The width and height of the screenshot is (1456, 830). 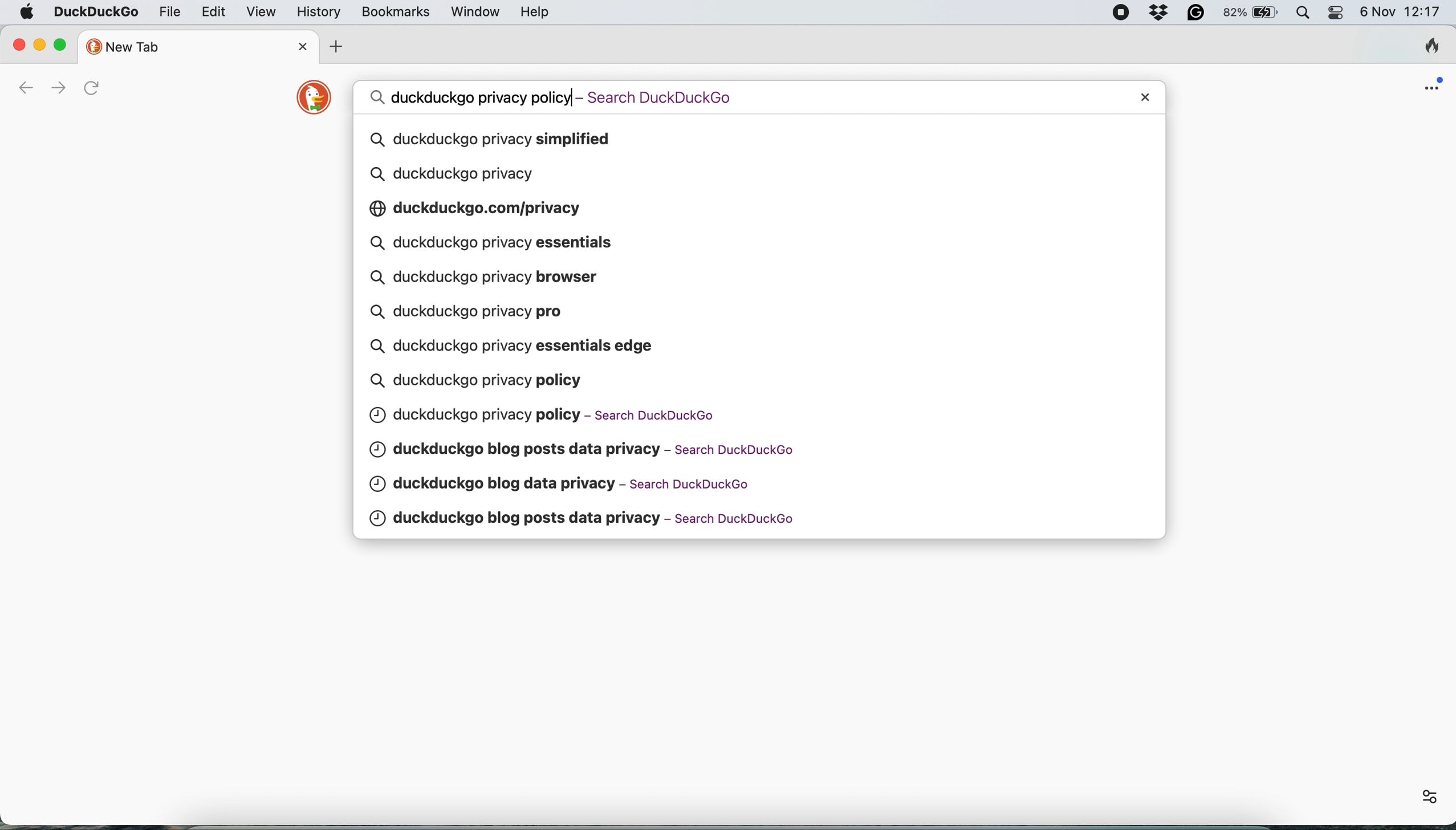 What do you see at coordinates (95, 89) in the screenshot?
I see `refresh` at bounding box center [95, 89].